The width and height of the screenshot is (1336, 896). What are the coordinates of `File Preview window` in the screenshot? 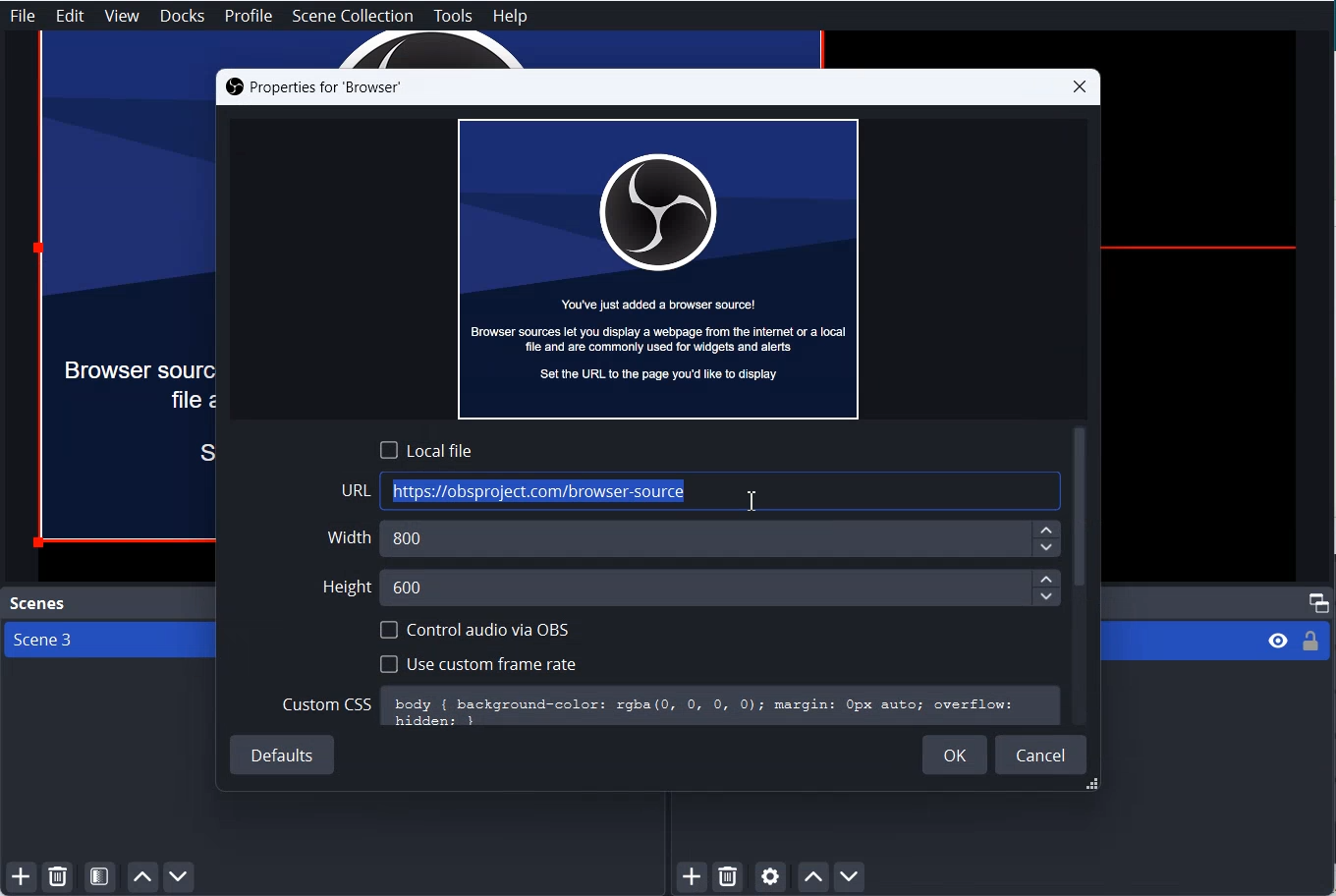 It's located at (658, 267).